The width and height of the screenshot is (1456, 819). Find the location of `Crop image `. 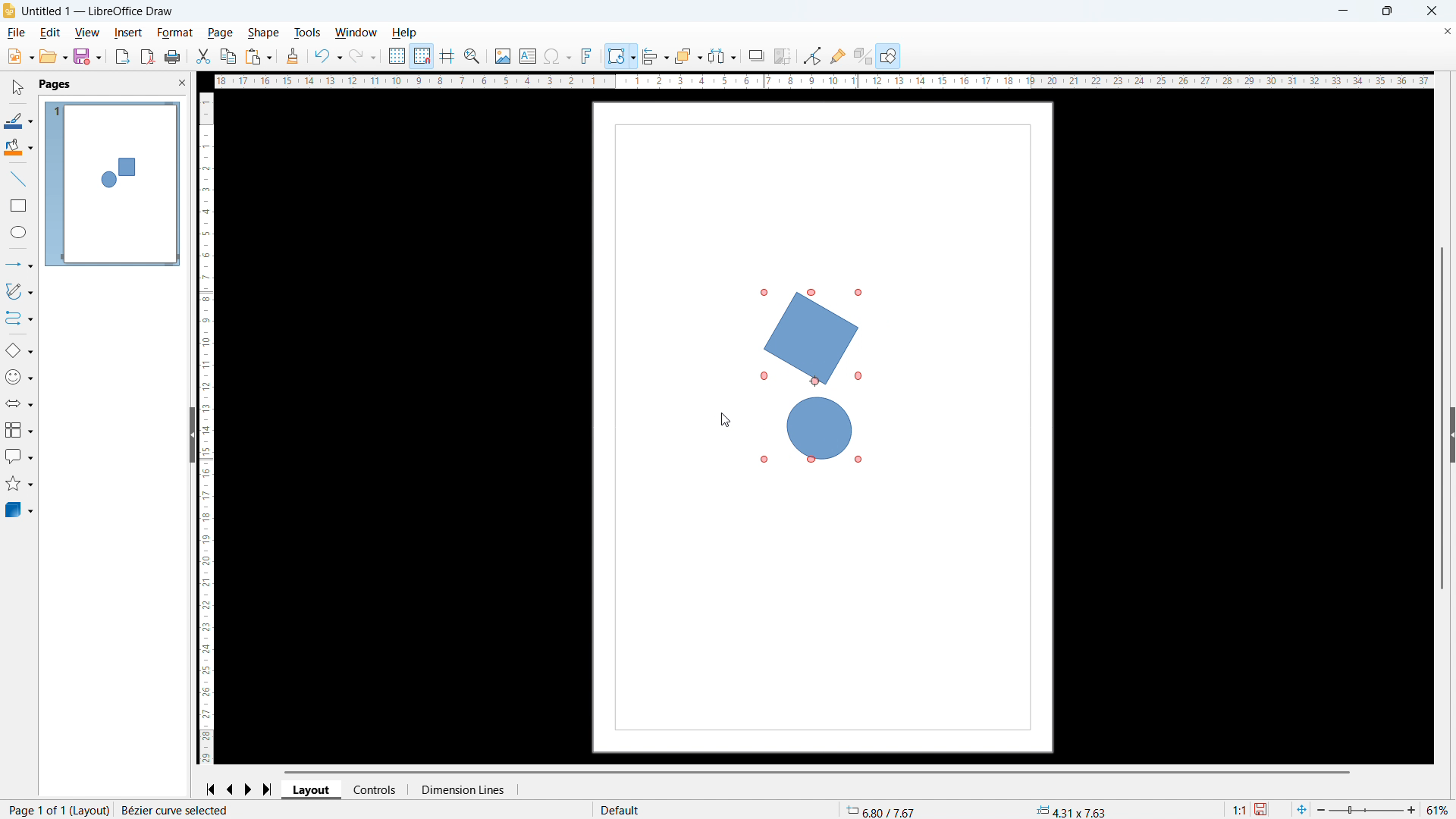

Crop image  is located at coordinates (782, 56).